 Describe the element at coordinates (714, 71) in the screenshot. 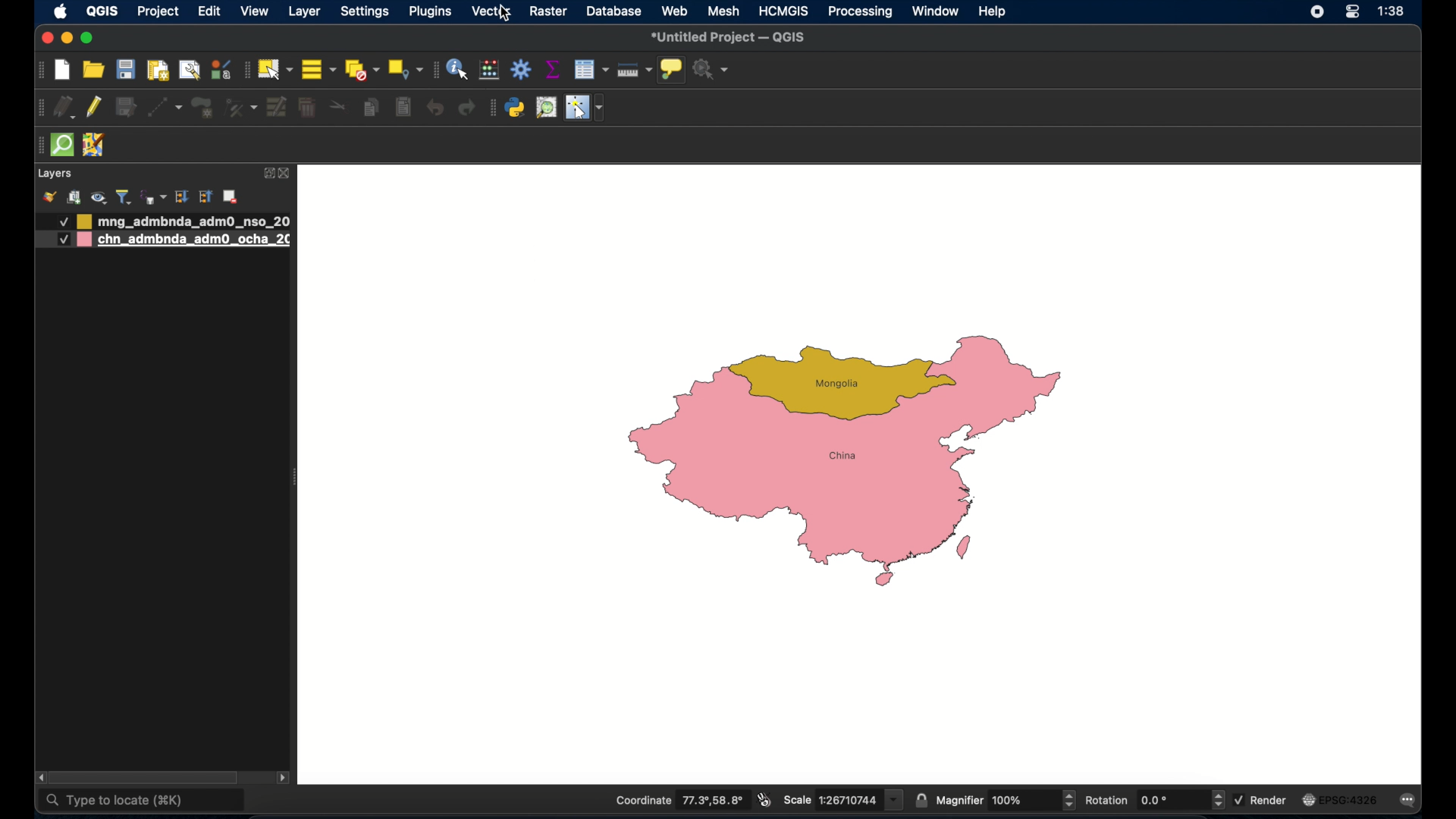

I see `no action selected` at that location.